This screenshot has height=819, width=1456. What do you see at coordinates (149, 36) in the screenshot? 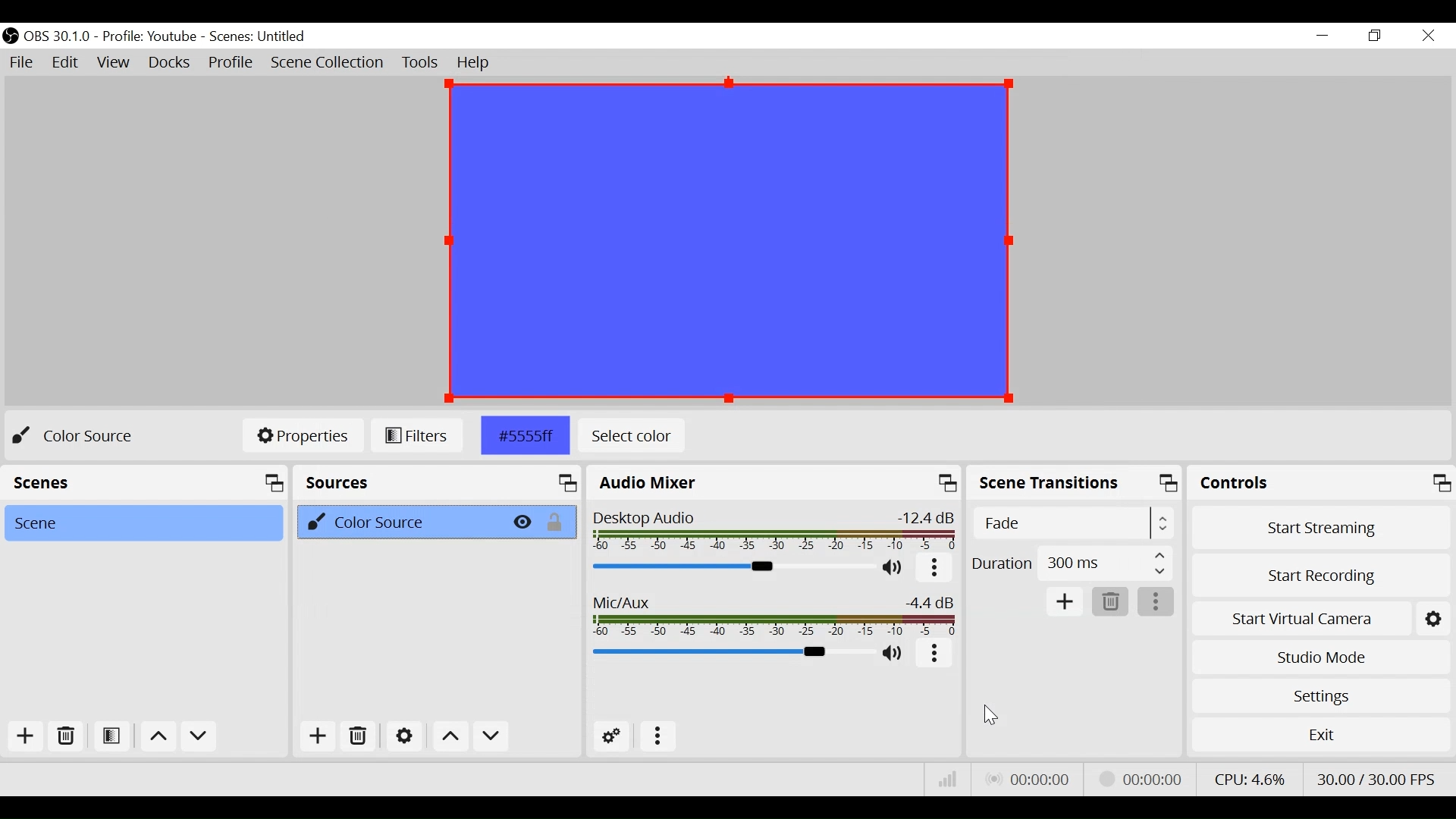
I see `Profile` at bounding box center [149, 36].